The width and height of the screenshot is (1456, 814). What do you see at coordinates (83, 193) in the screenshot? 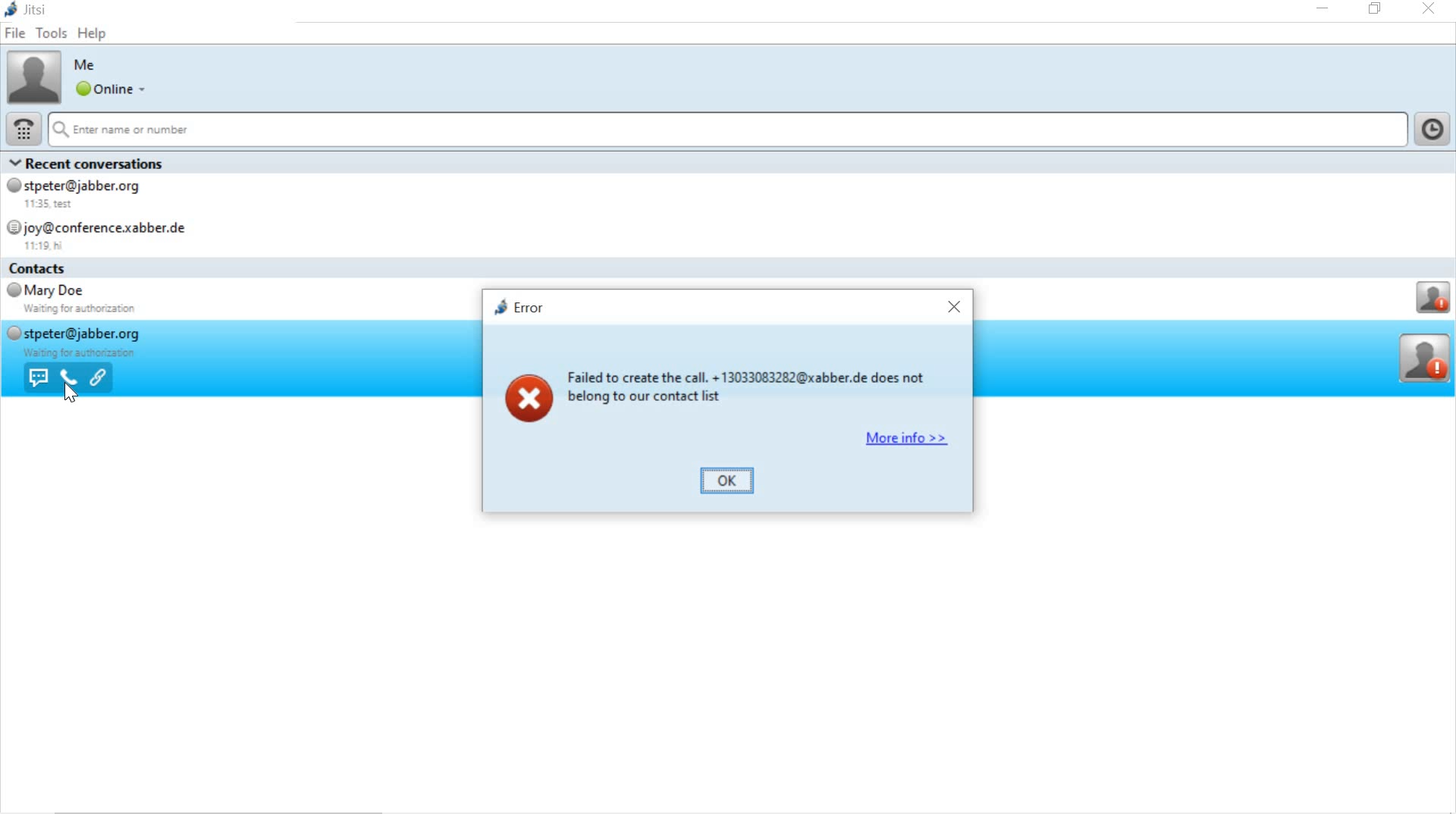
I see `© stpeter@jabber.org
11:35, test` at bounding box center [83, 193].